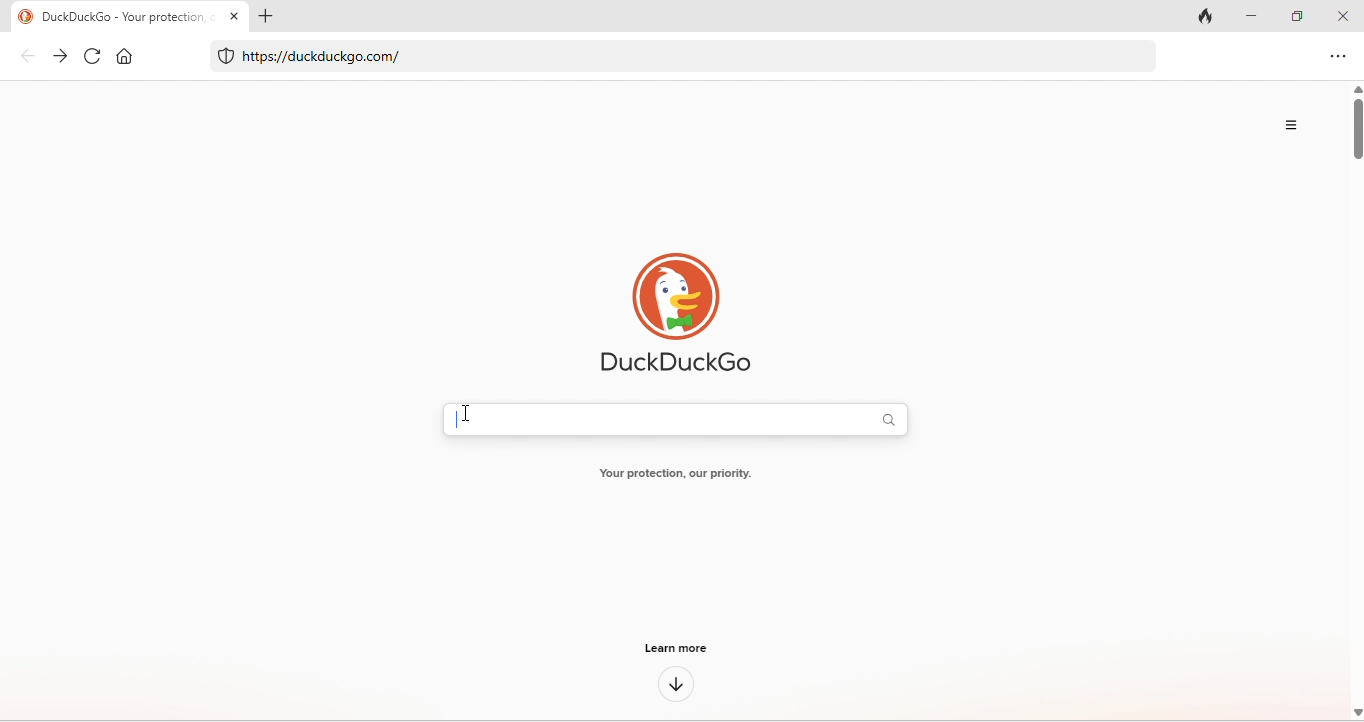  I want to click on refresh, so click(93, 55).